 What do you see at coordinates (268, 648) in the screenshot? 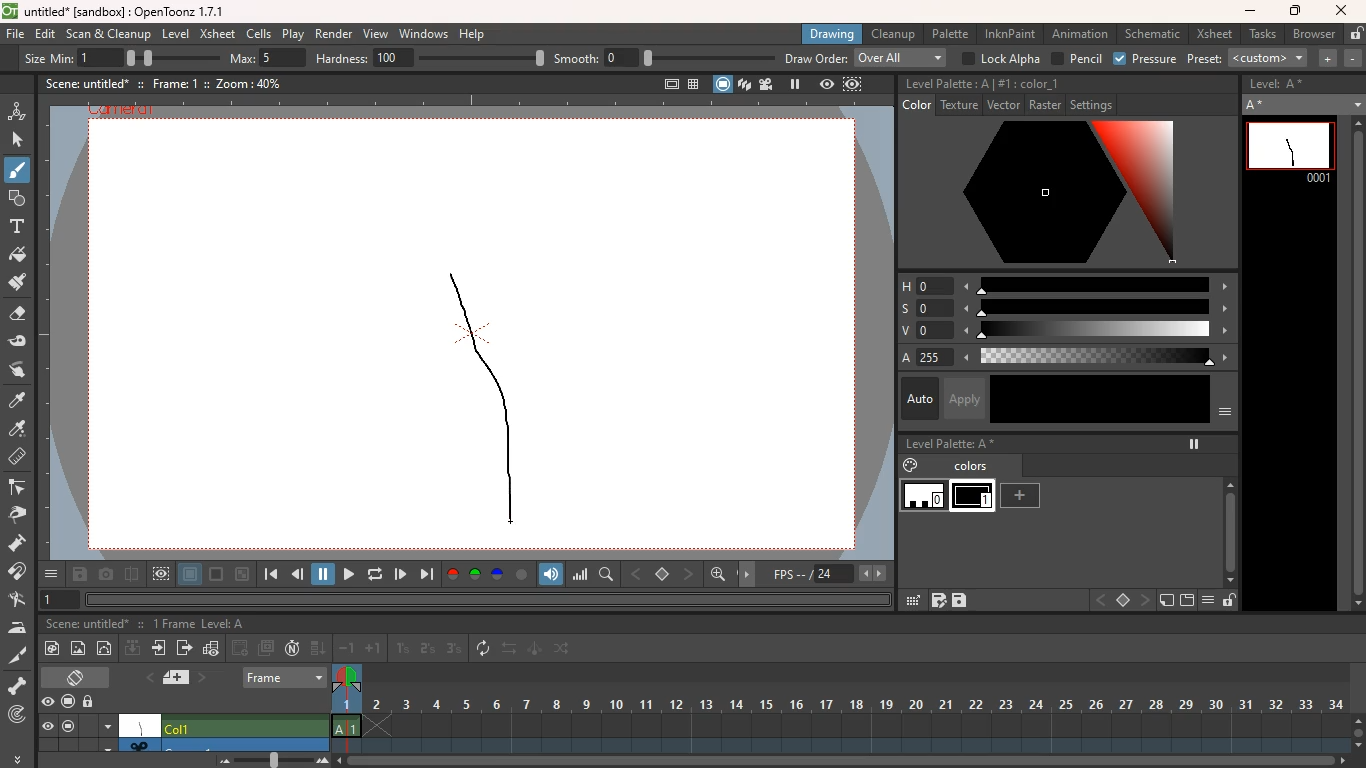
I see `screens` at bounding box center [268, 648].